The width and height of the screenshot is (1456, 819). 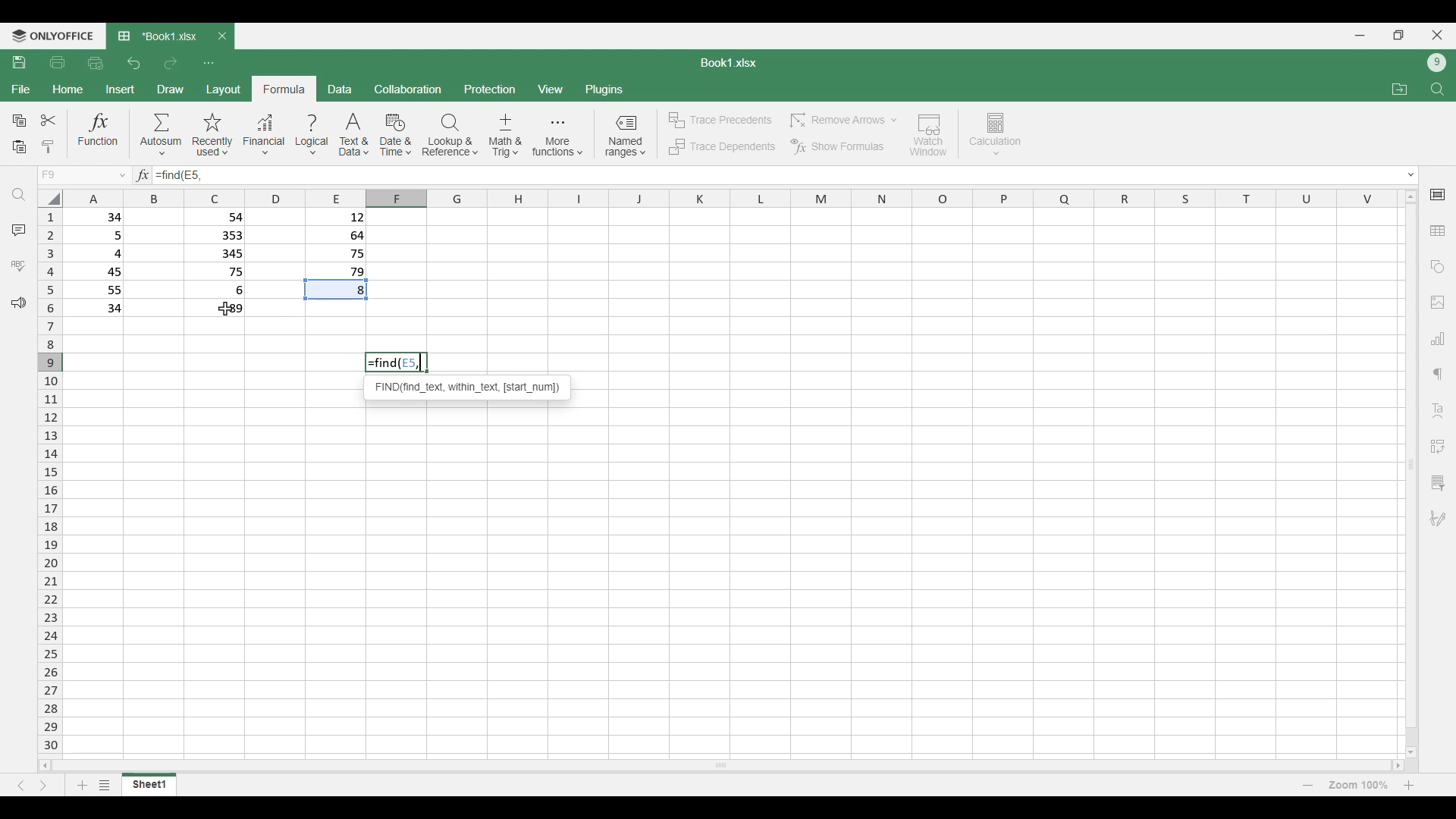 I want to click on Next, so click(x=43, y=786).